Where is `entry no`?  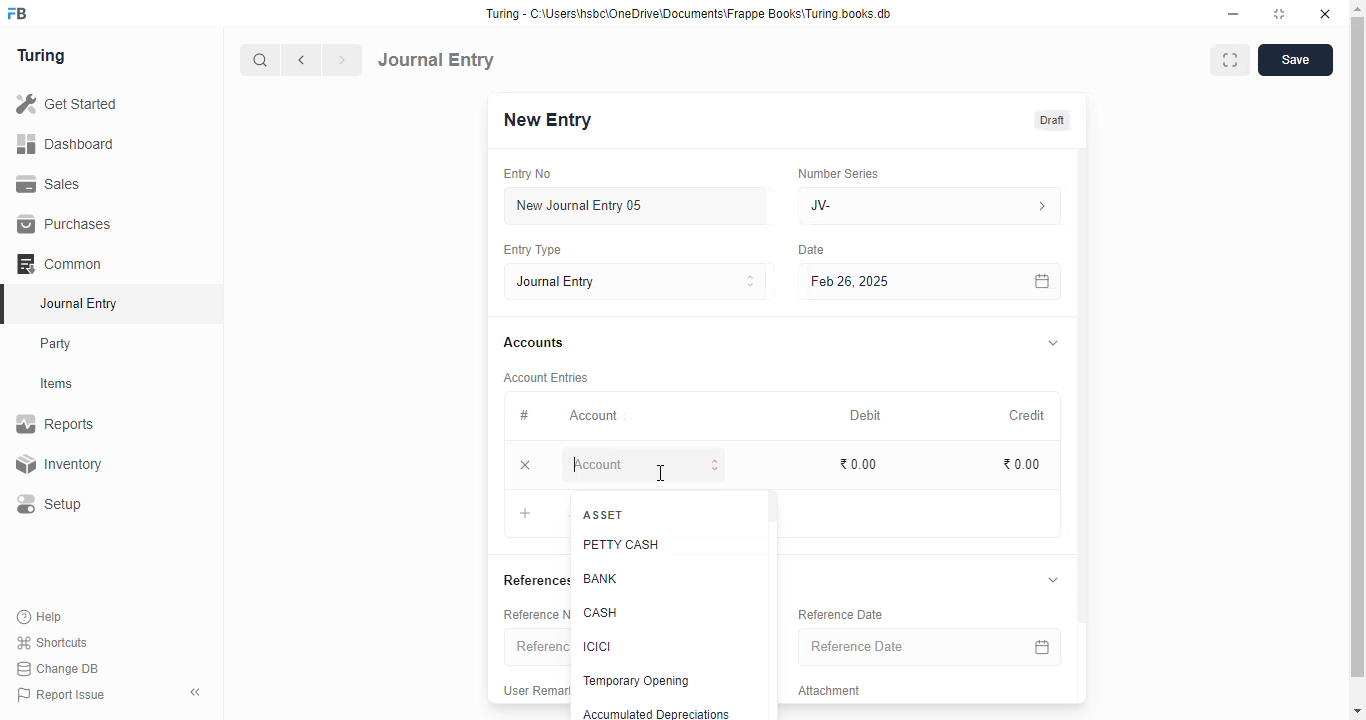
entry no is located at coordinates (529, 174).